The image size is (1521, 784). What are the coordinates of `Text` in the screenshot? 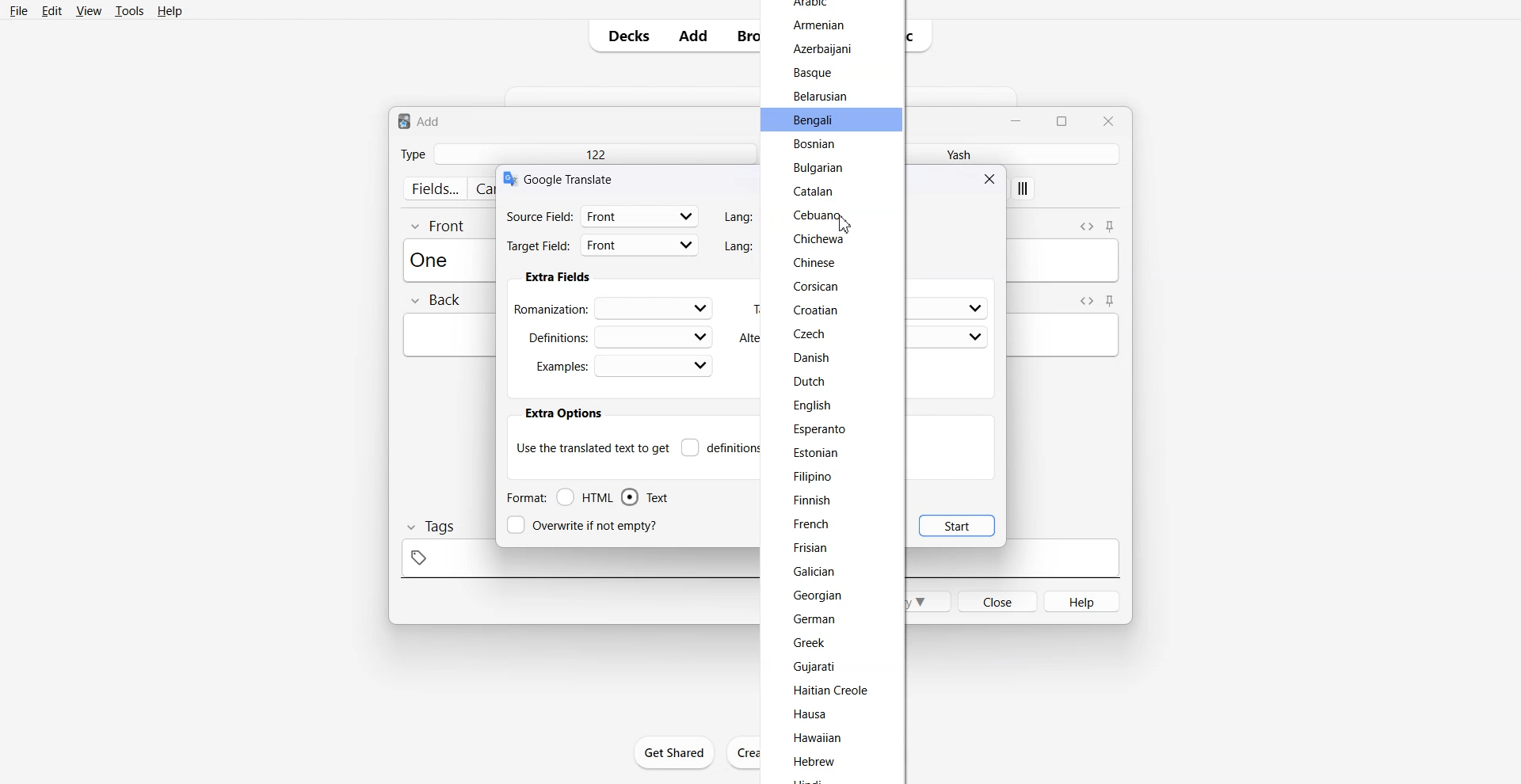 It's located at (420, 120).